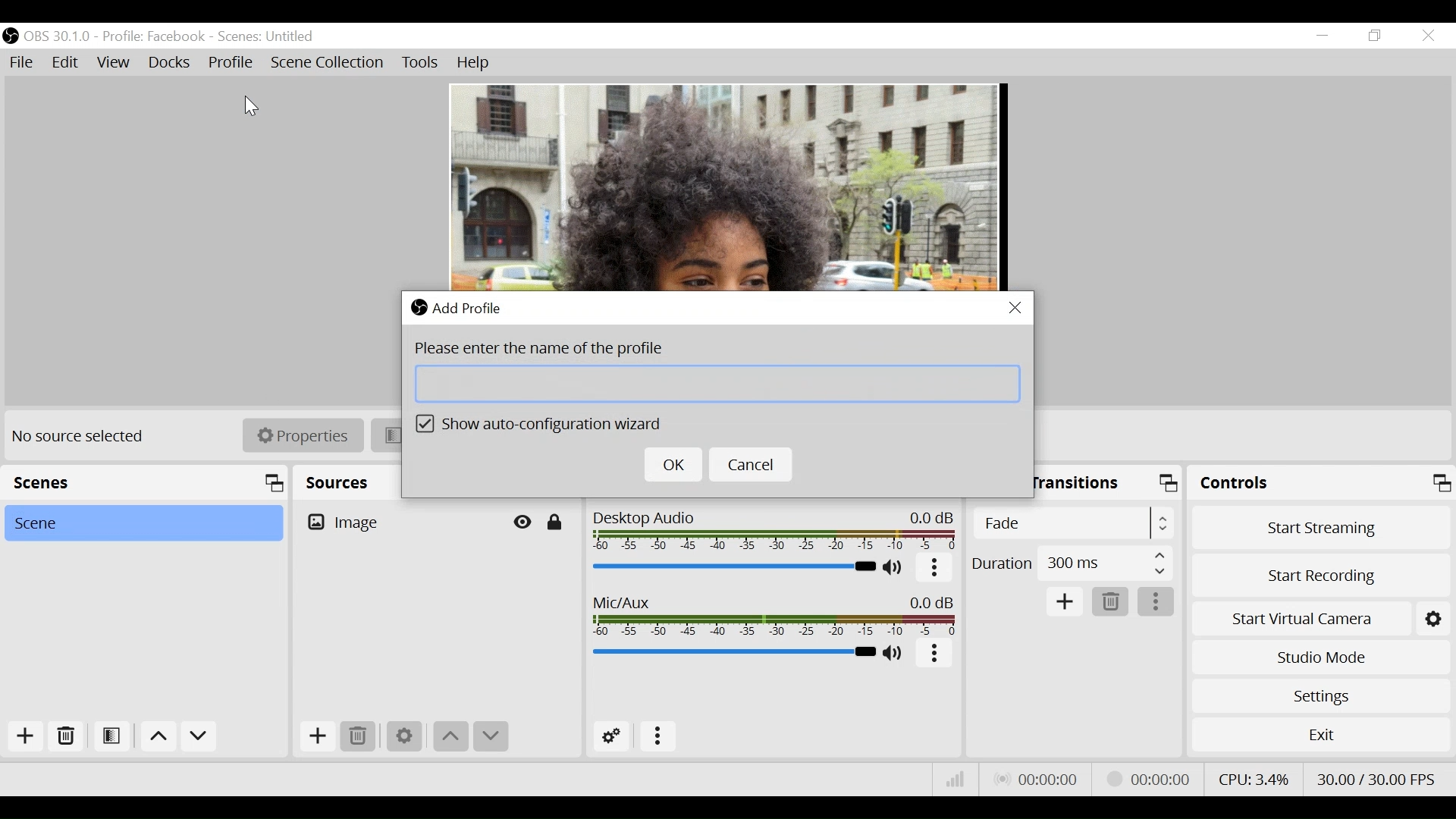 The width and height of the screenshot is (1456, 819). I want to click on Delete, so click(358, 736).